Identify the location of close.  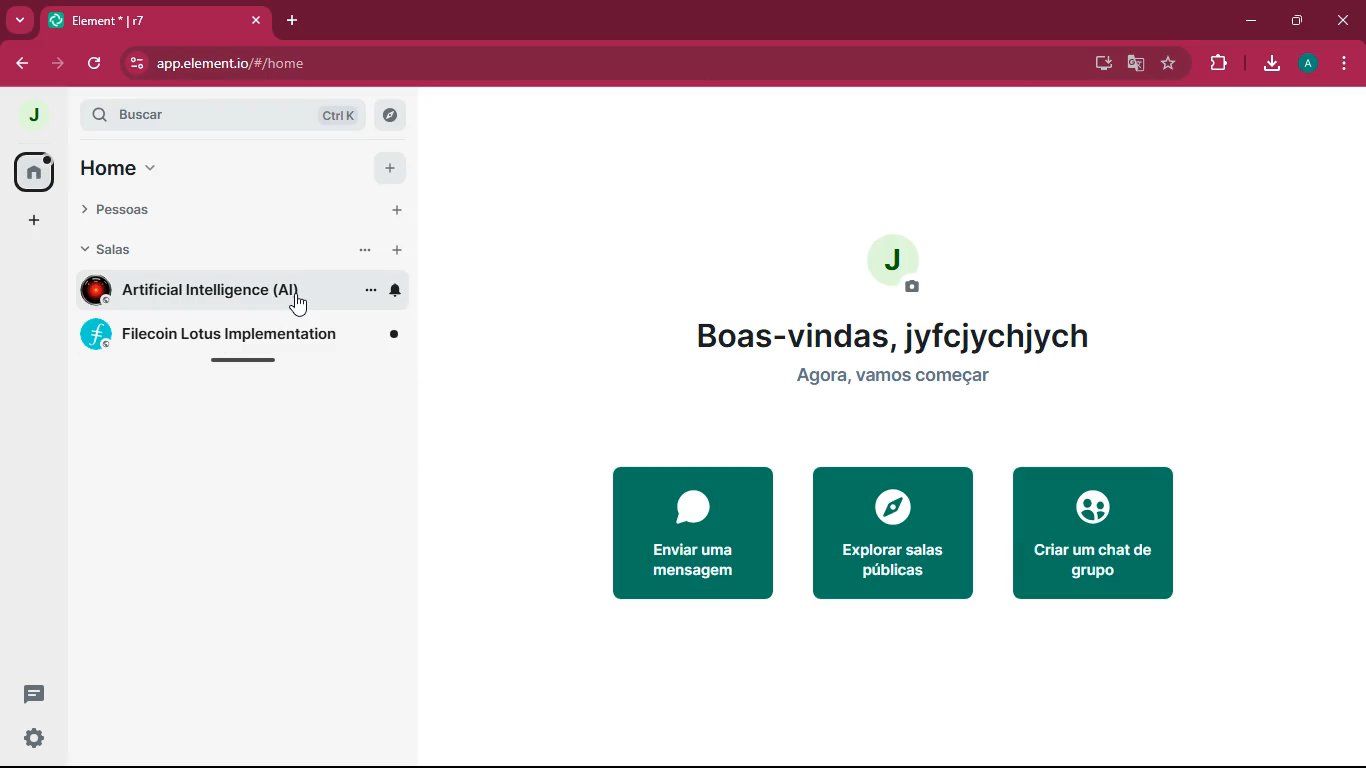
(1343, 20).